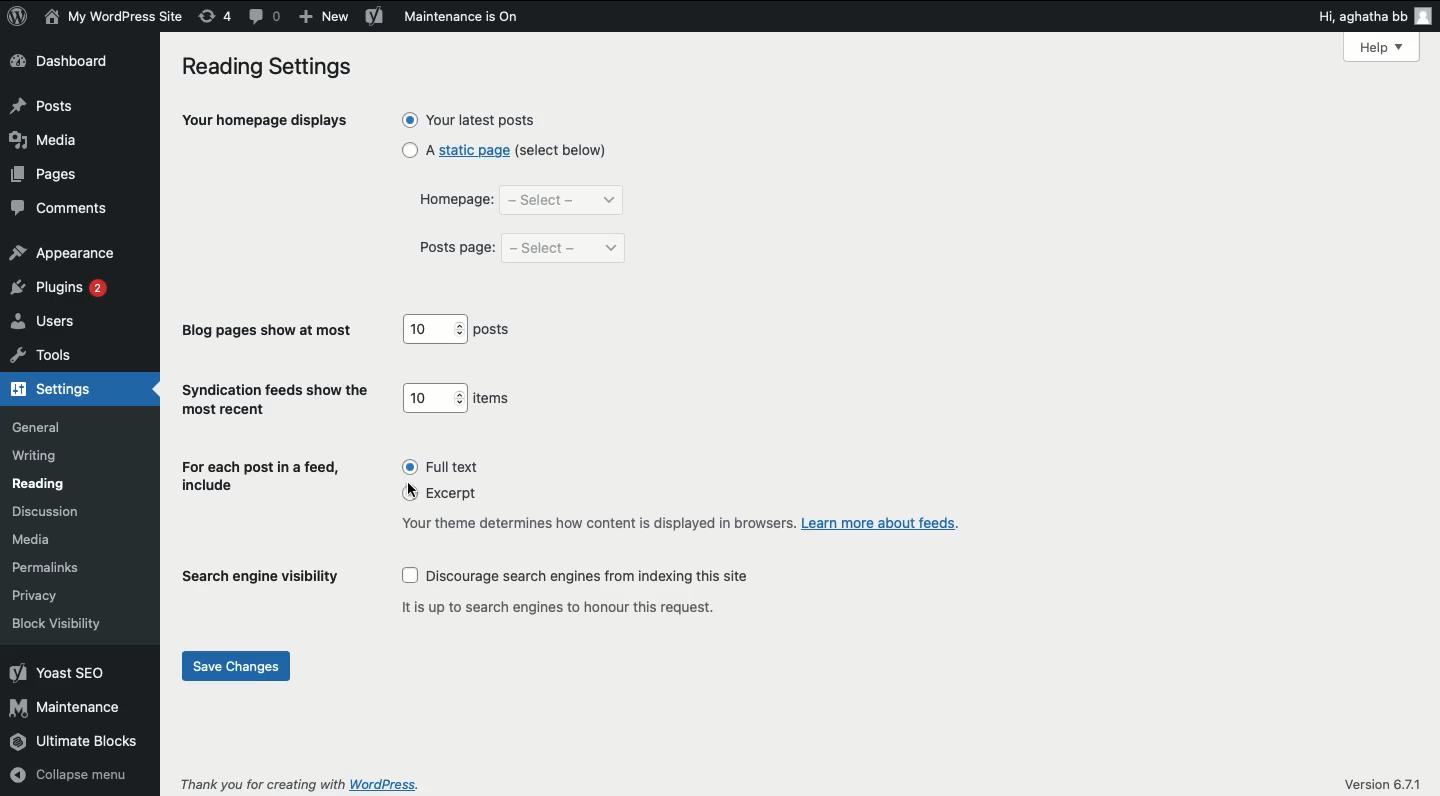  Describe the element at coordinates (268, 577) in the screenshot. I see `search engine visibility ` at that location.